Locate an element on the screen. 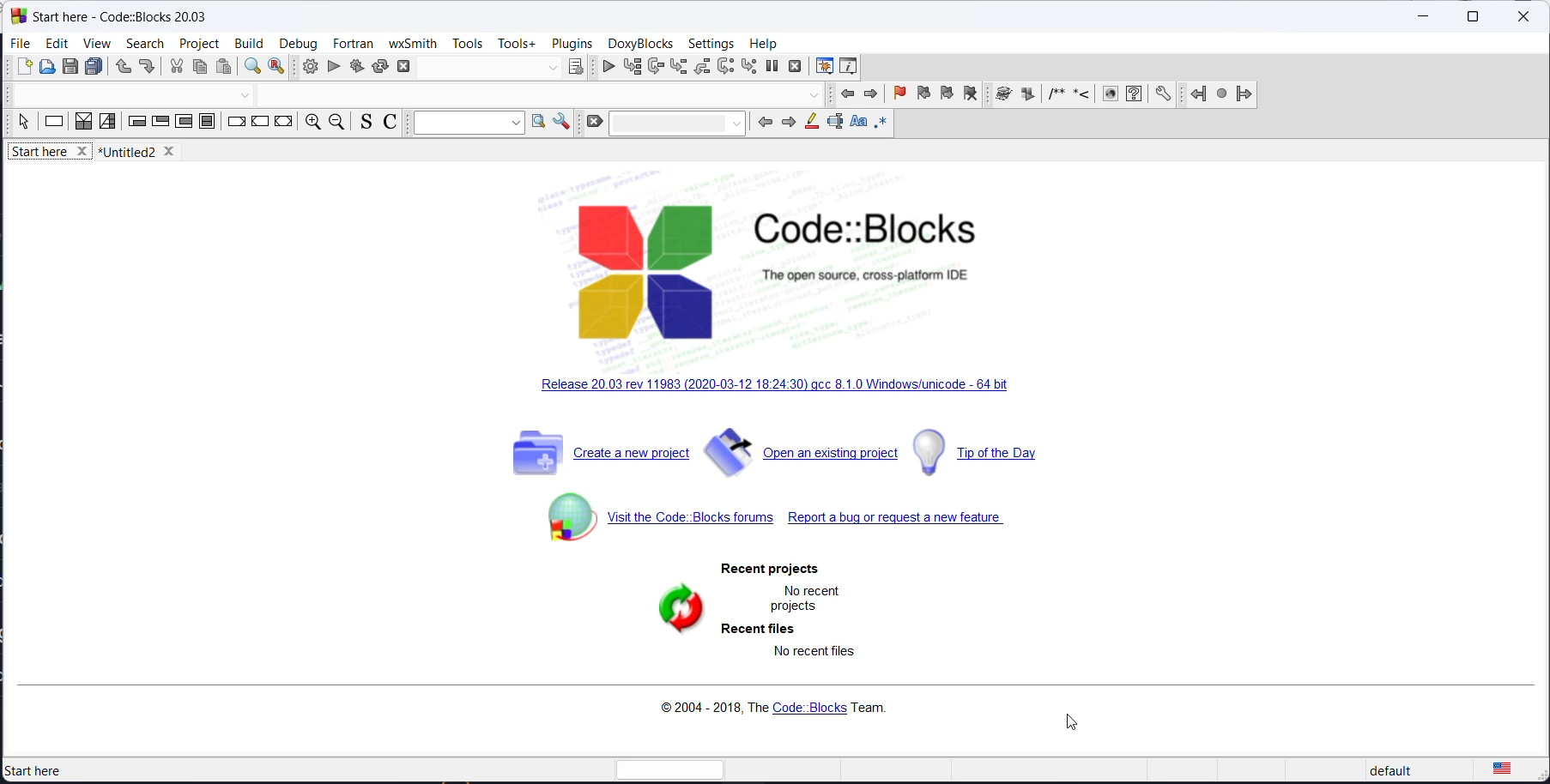 The width and height of the screenshot is (1550, 784). refresh is located at coordinates (663, 614).